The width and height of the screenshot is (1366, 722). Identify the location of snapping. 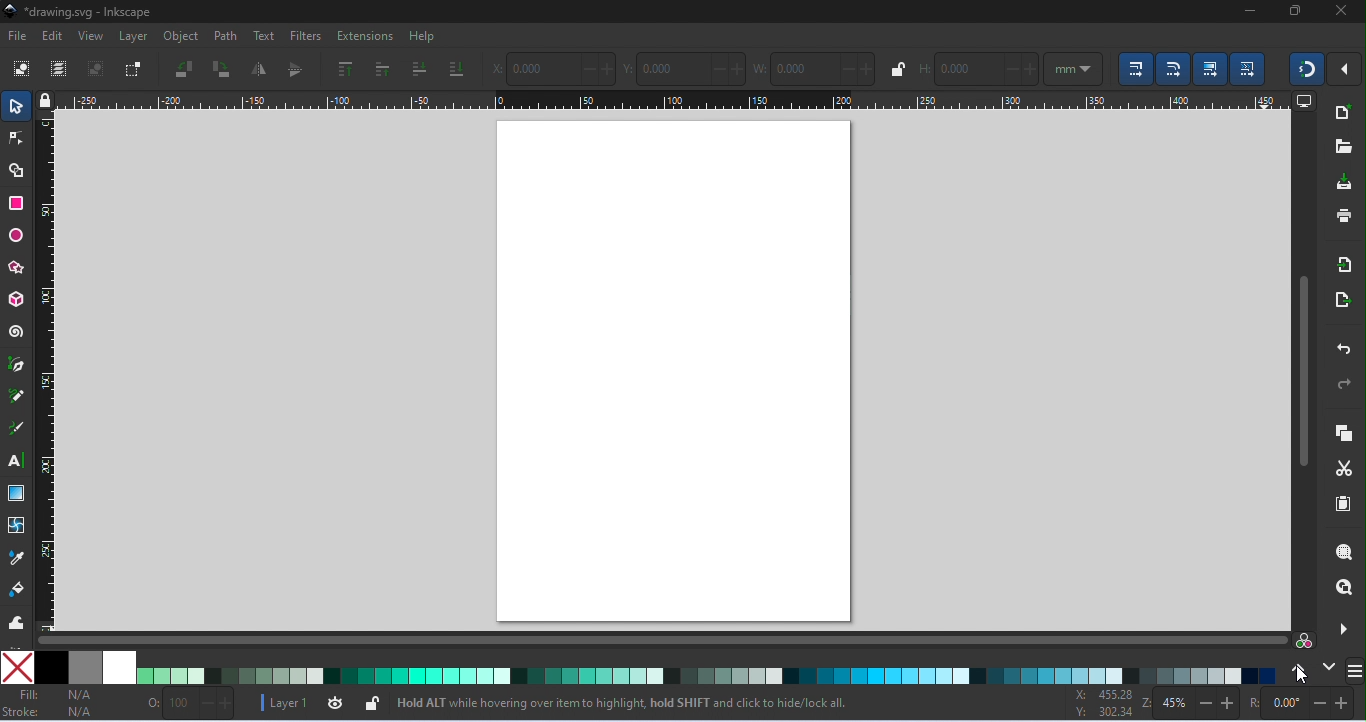
(1308, 69).